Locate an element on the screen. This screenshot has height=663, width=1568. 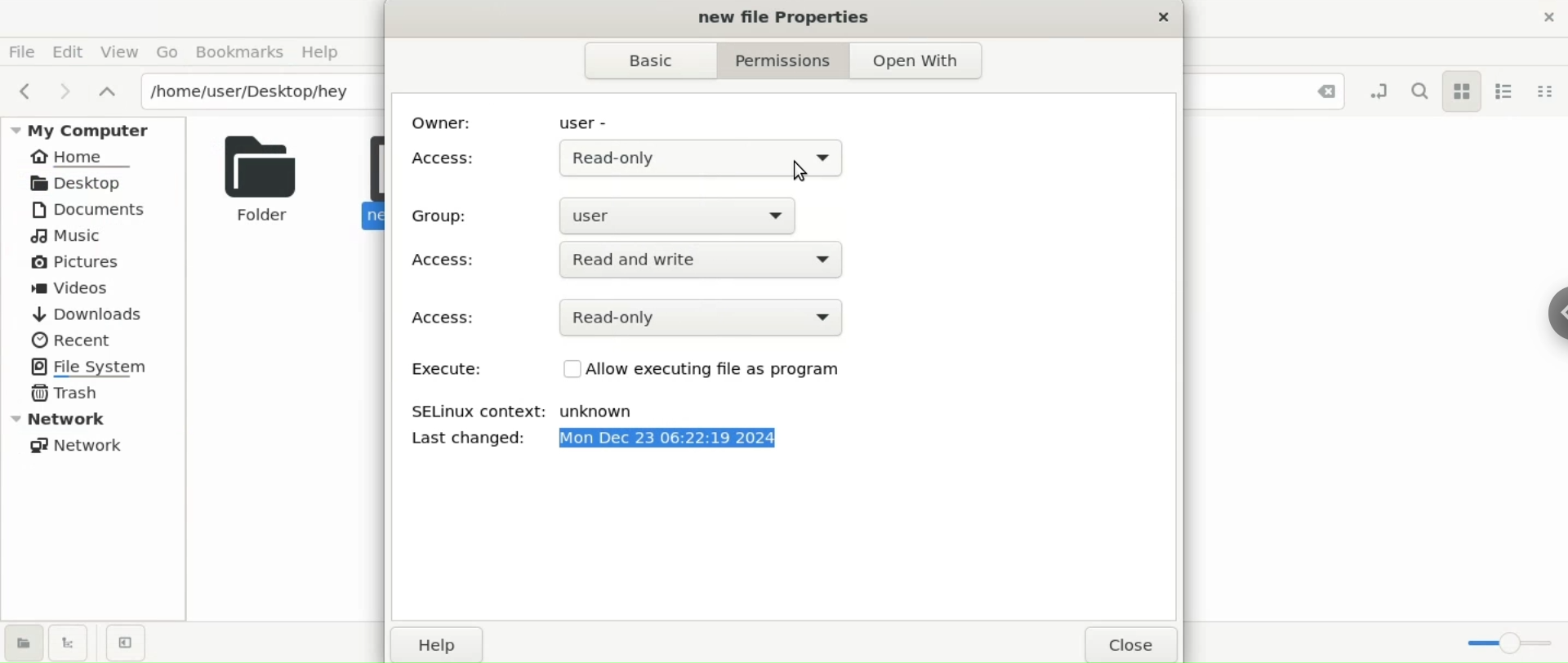
show treeview is located at coordinates (69, 642).